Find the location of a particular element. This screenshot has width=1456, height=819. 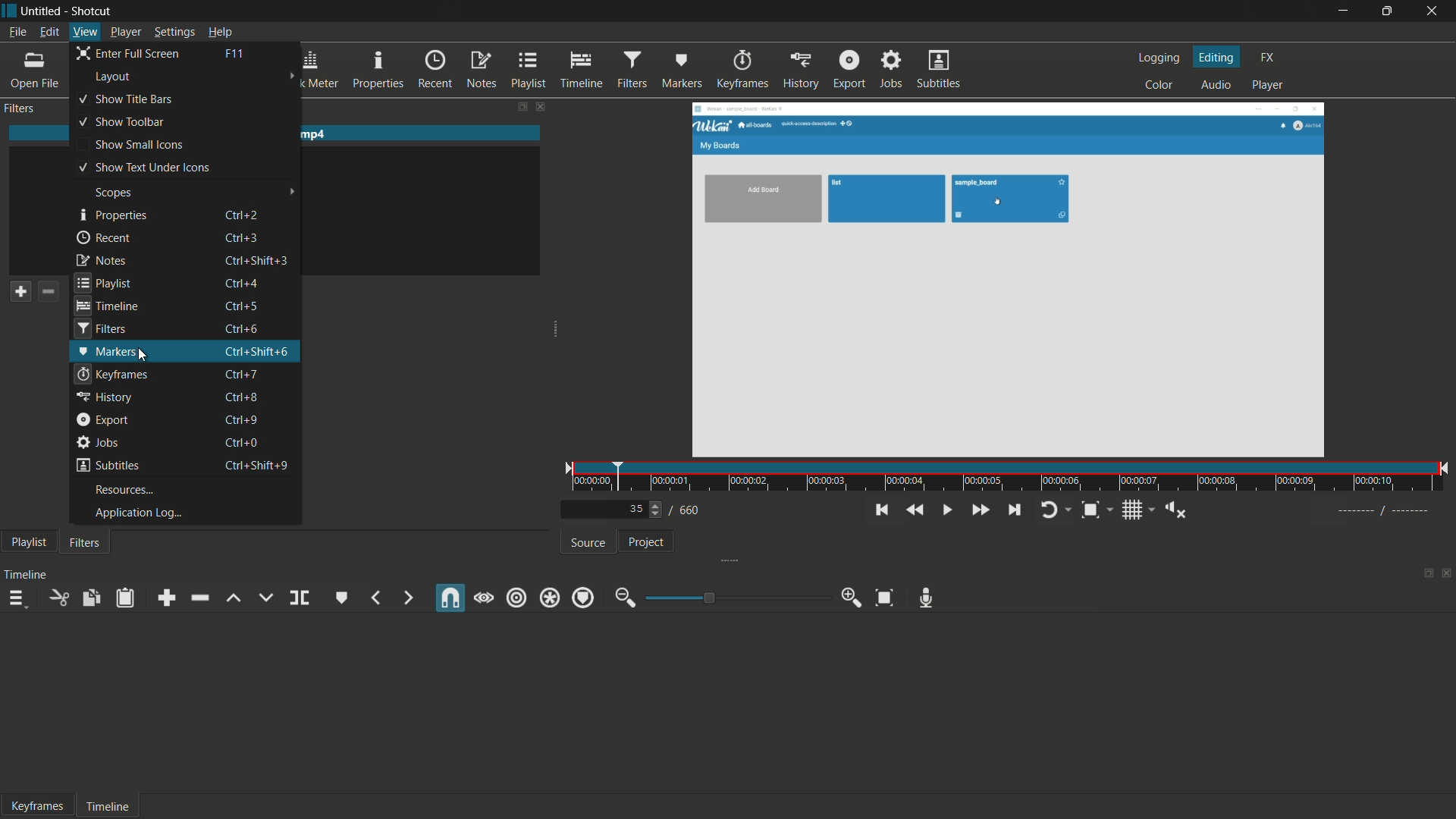

show toolbar is located at coordinates (121, 121).